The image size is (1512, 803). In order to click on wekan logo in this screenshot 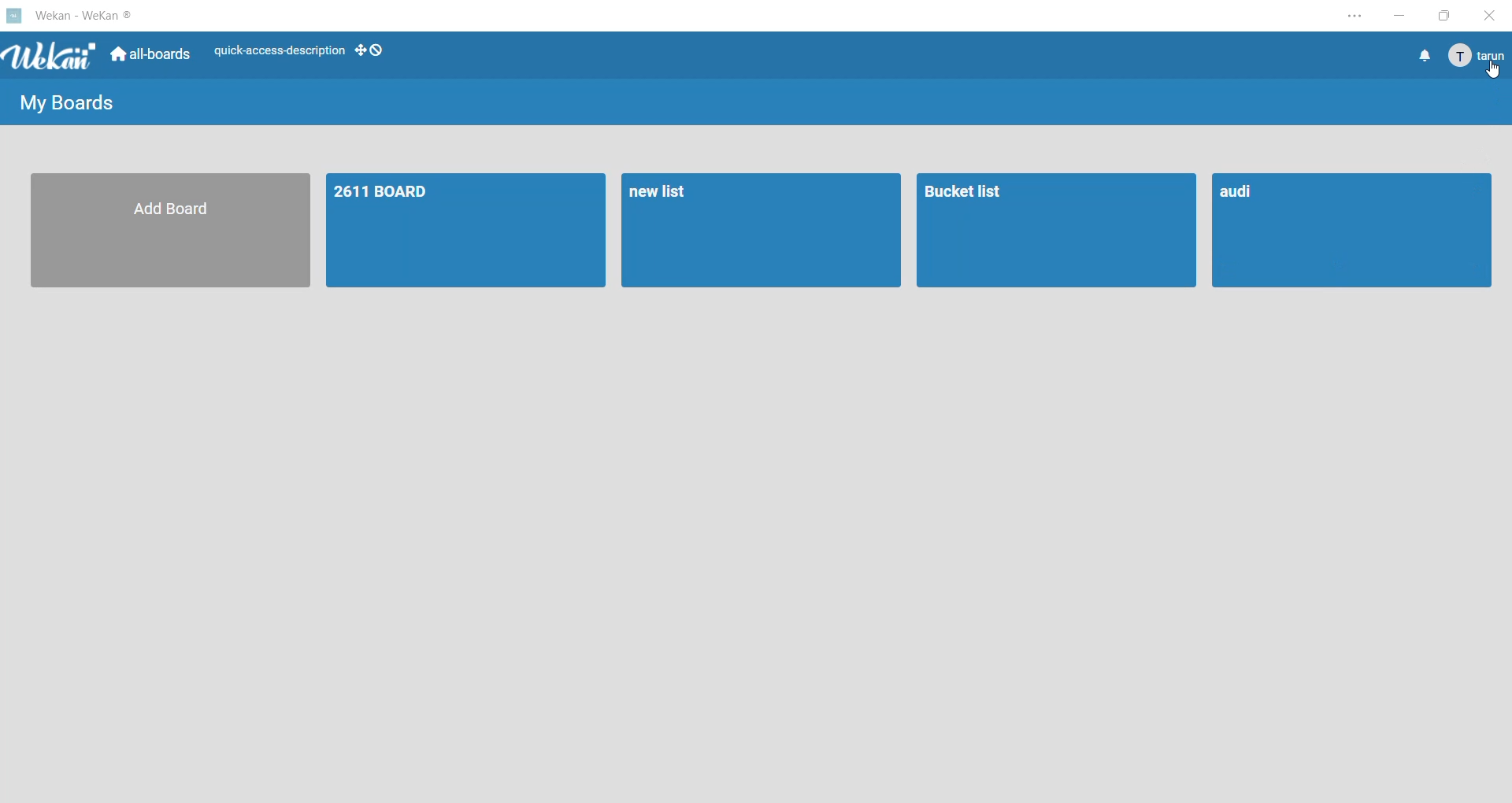, I will do `click(14, 14)`.